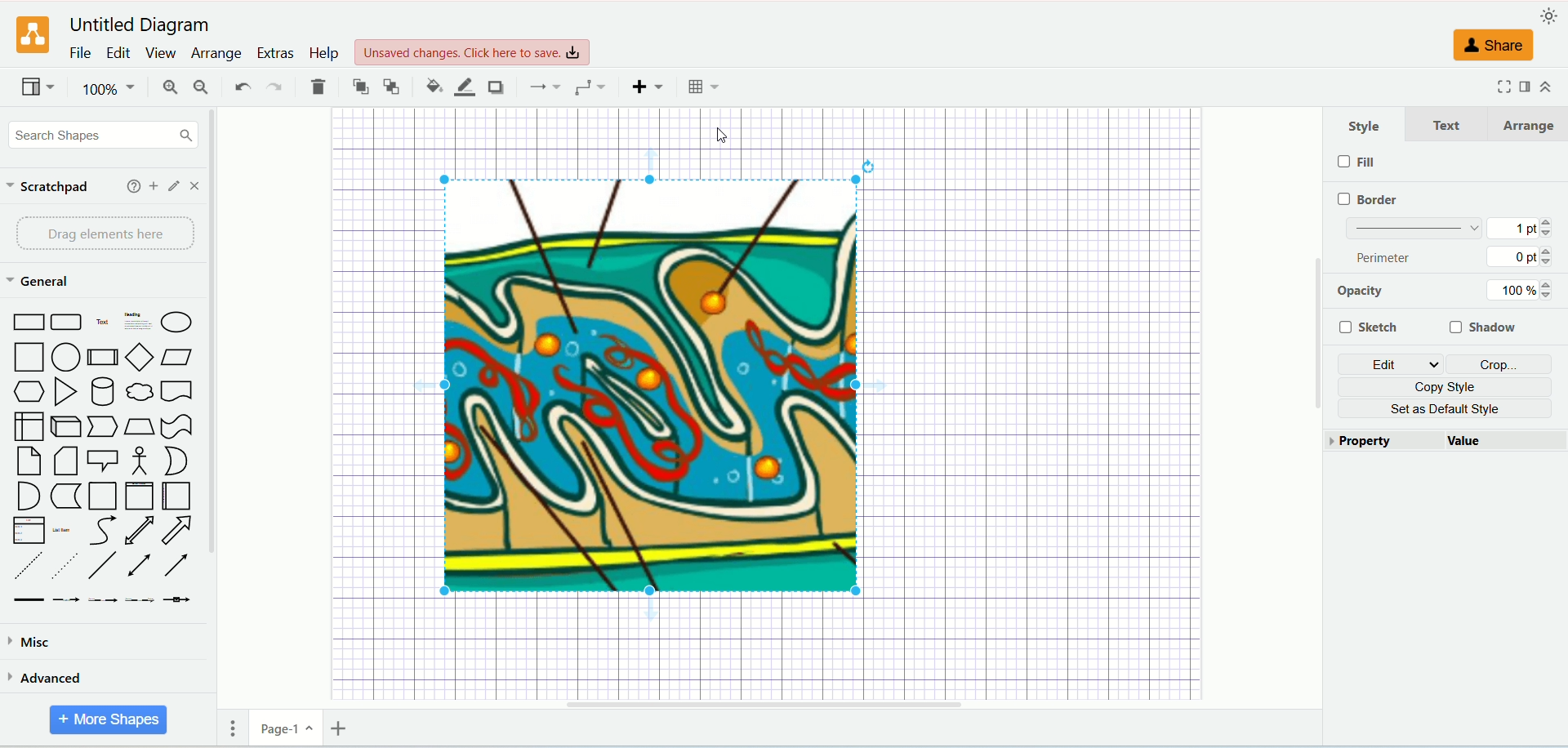 The height and width of the screenshot is (748, 1568). Describe the element at coordinates (67, 568) in the screenshot. I see `Dotted Line` at that location.